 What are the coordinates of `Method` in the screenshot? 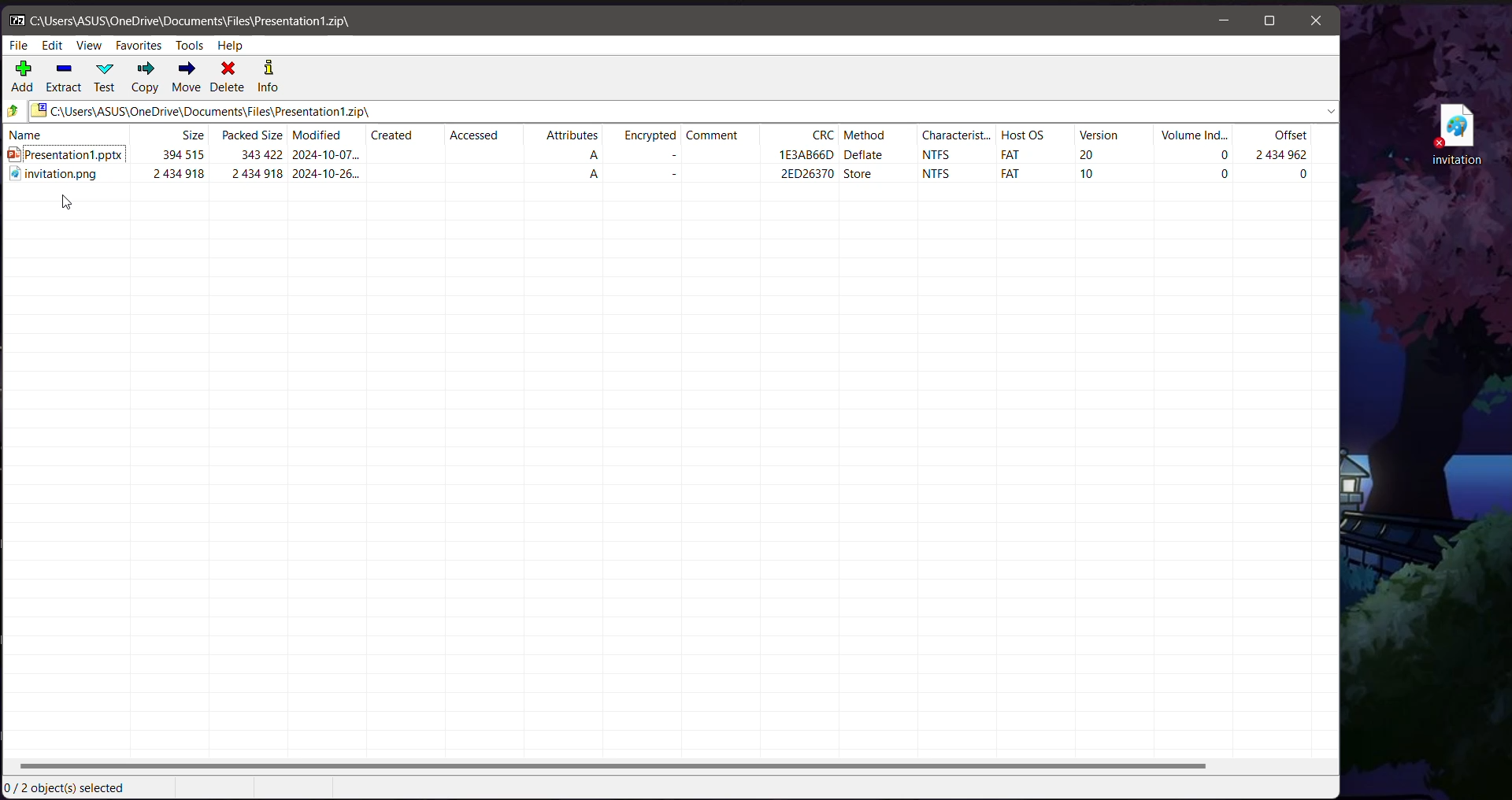 It's located at (879, 134).